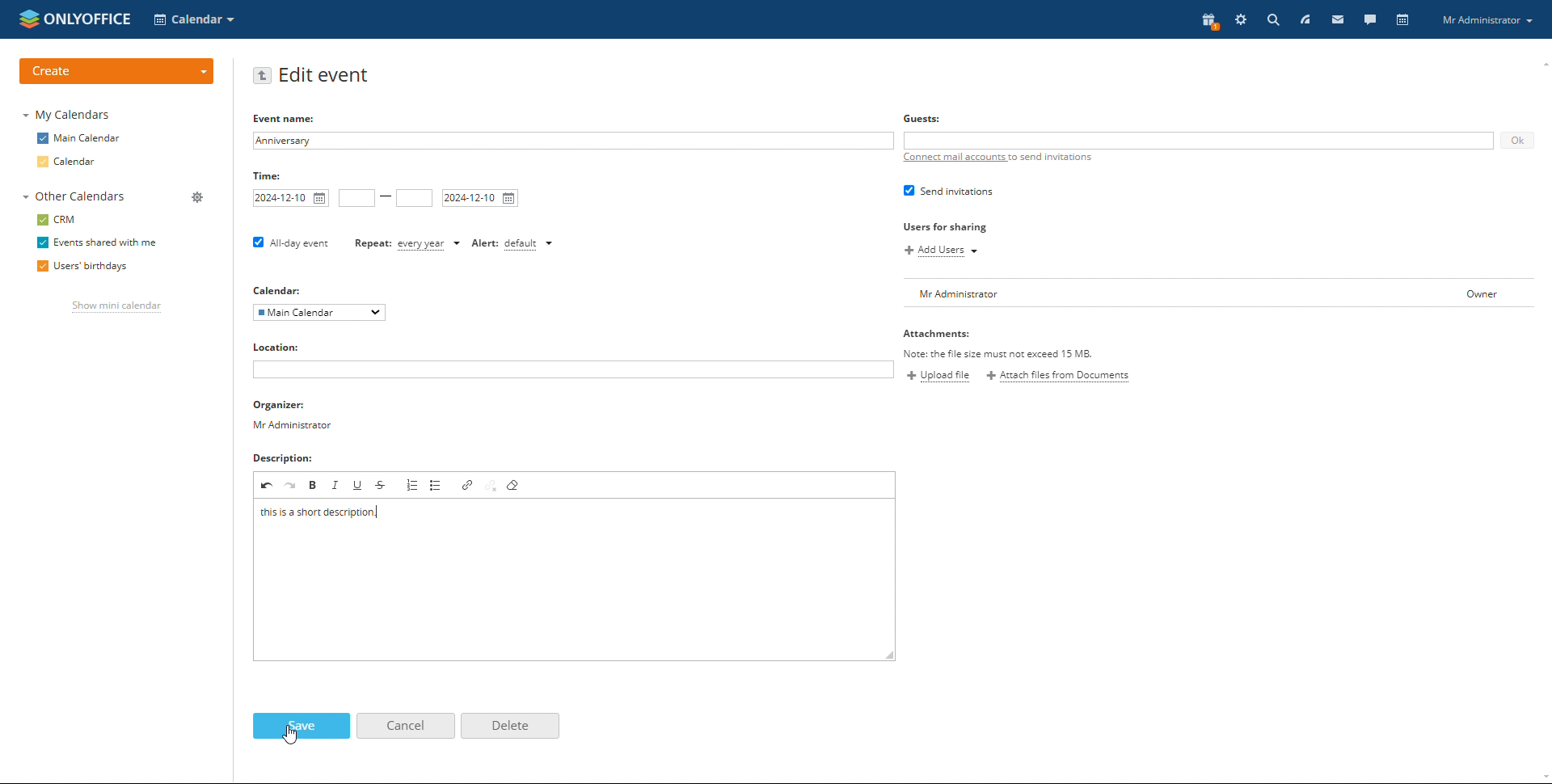 Image resolution: width=1552 pixels, height=784 pixels. Describe the element at coordinates (286, 458) in the screenshot. I see `Description:` at that location.